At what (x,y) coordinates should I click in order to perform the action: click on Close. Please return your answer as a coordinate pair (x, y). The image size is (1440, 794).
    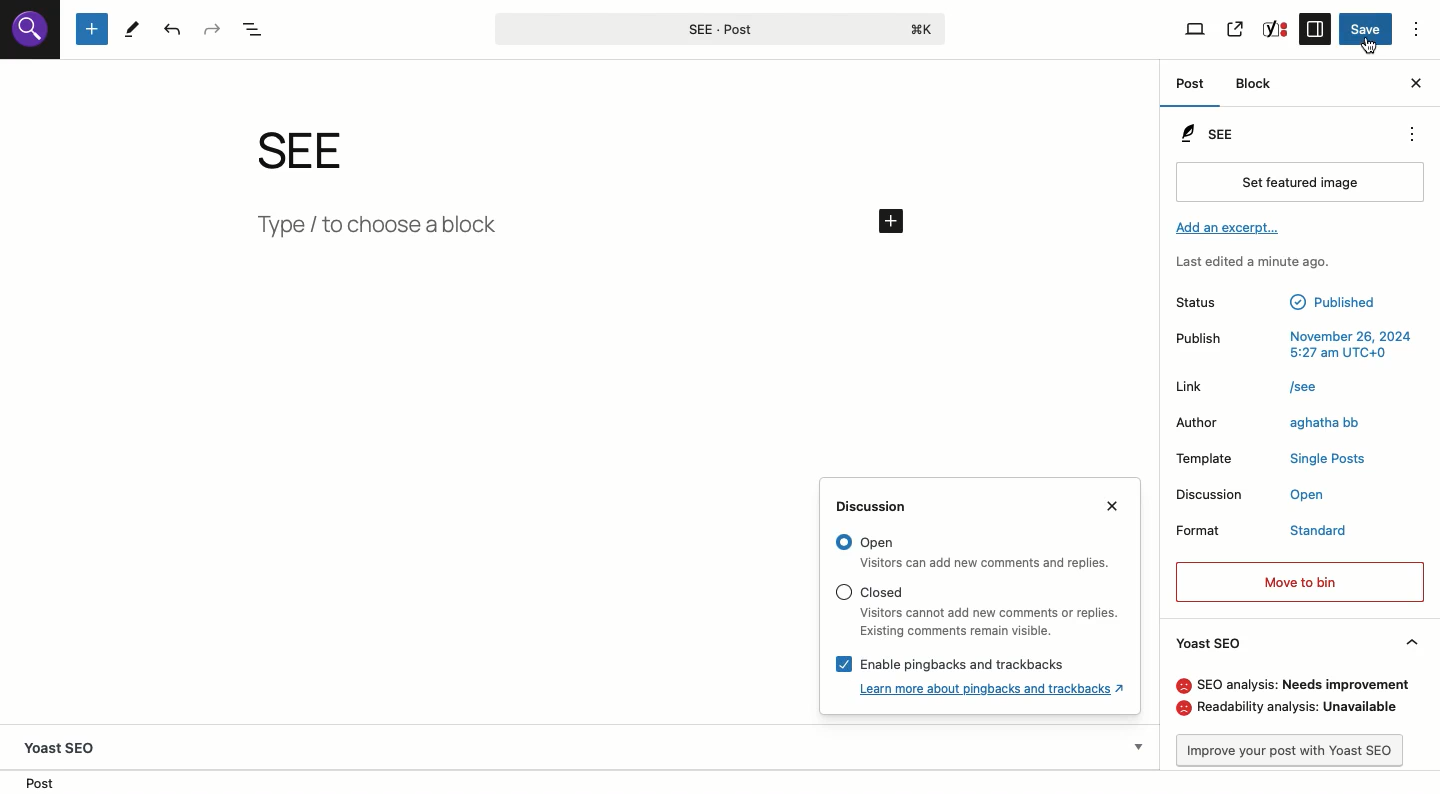
    Looking at the image, I should click on (1119, 508).